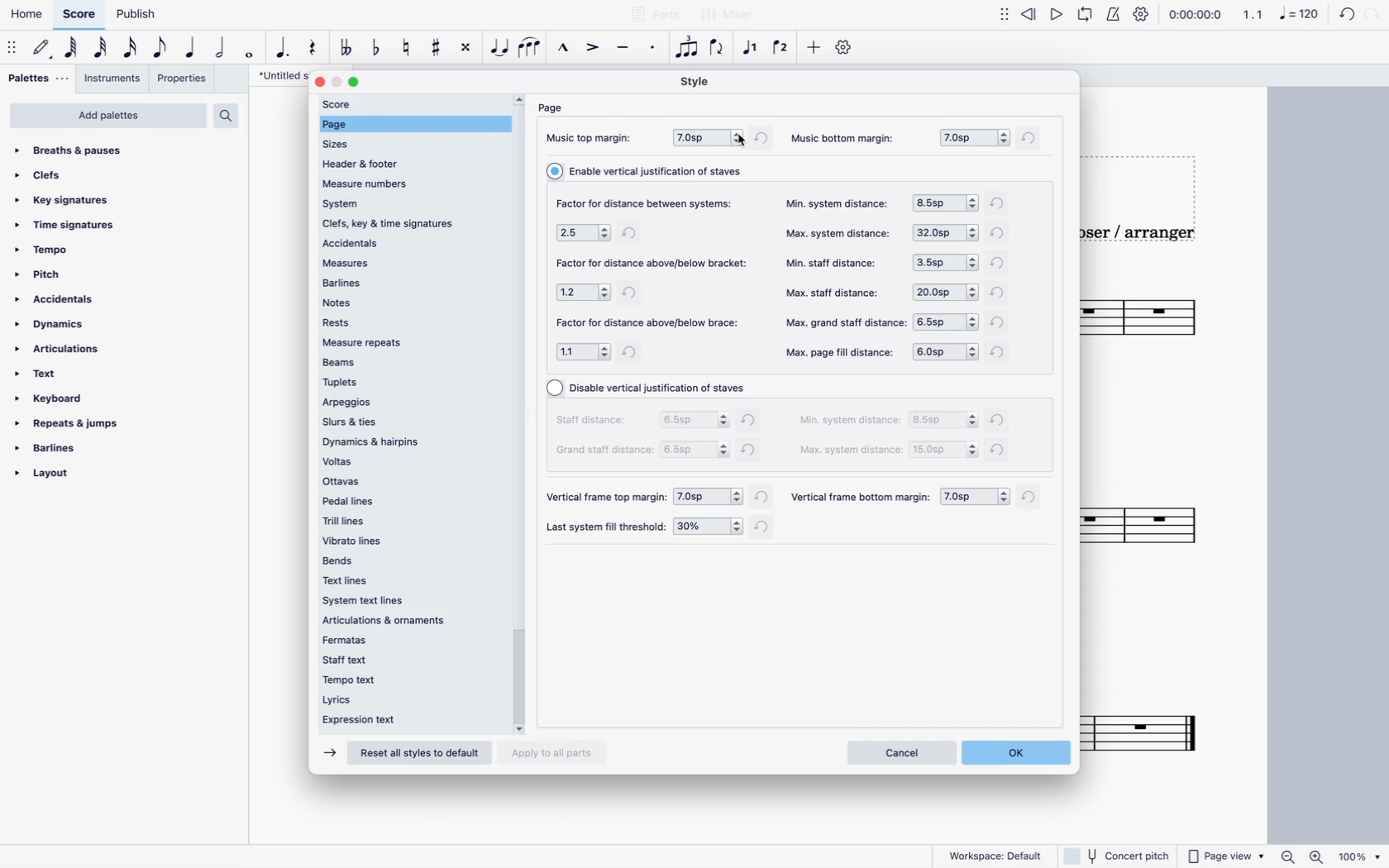  Describe the element at coordinates (100, 49) in the screenshot. I see `32nd note` at that location.